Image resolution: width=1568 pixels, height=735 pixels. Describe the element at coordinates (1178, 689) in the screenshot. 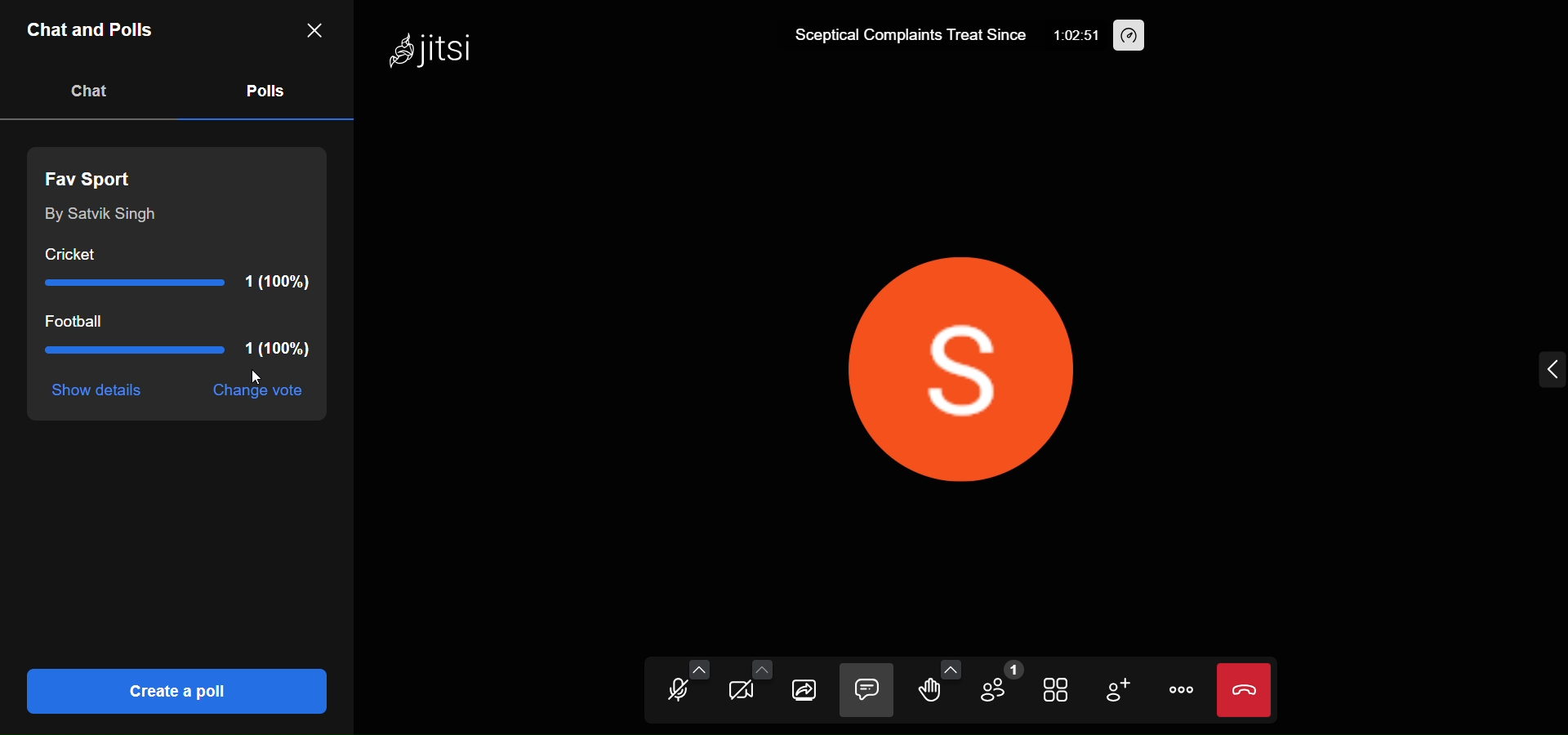

I see `more` at that location.